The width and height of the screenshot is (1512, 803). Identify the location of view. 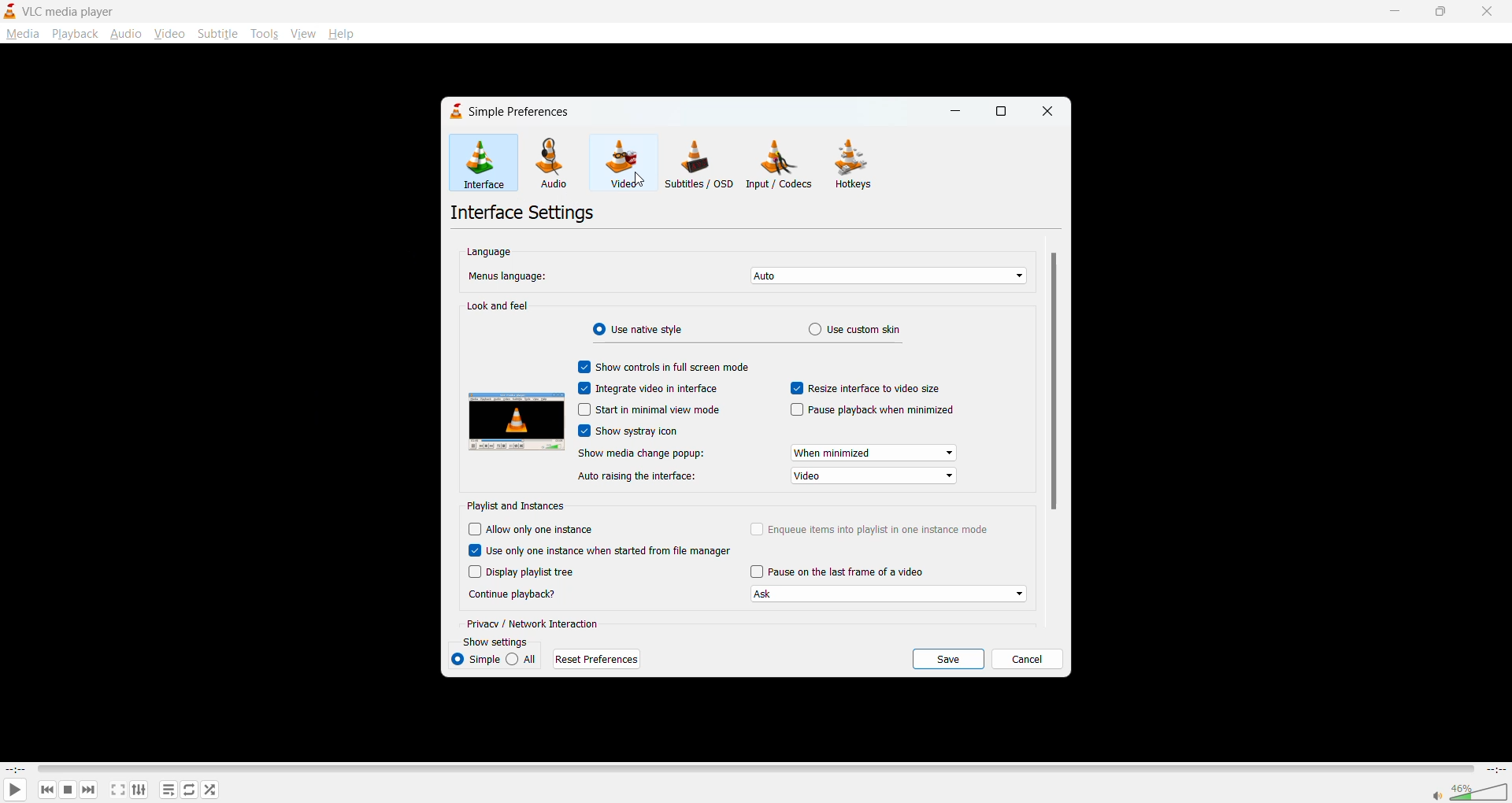
(302, 31).